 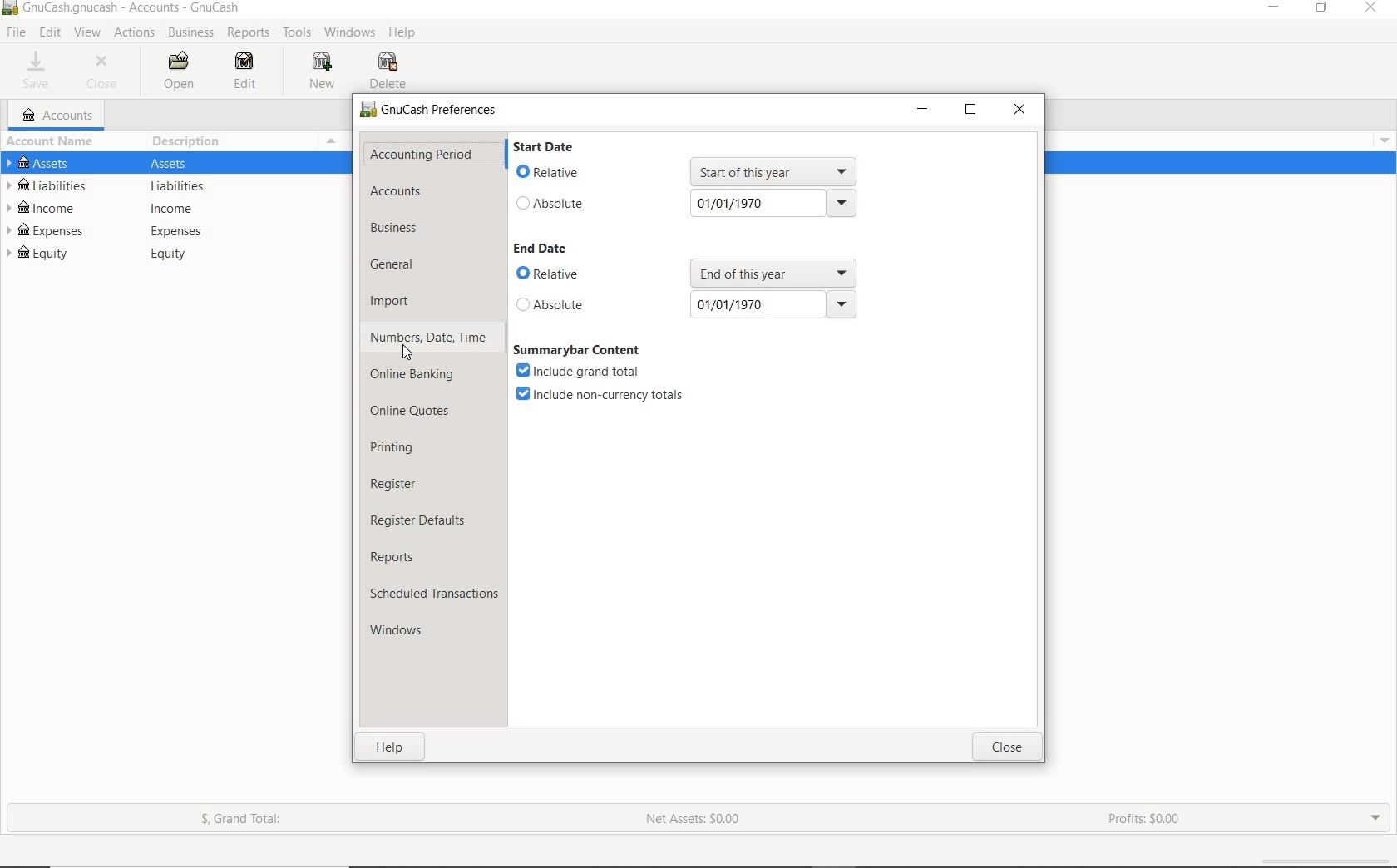 What do you see at coordinates (172, 256) in the screenshot?
I see `EQUITY` at bounding box center [172, 256].